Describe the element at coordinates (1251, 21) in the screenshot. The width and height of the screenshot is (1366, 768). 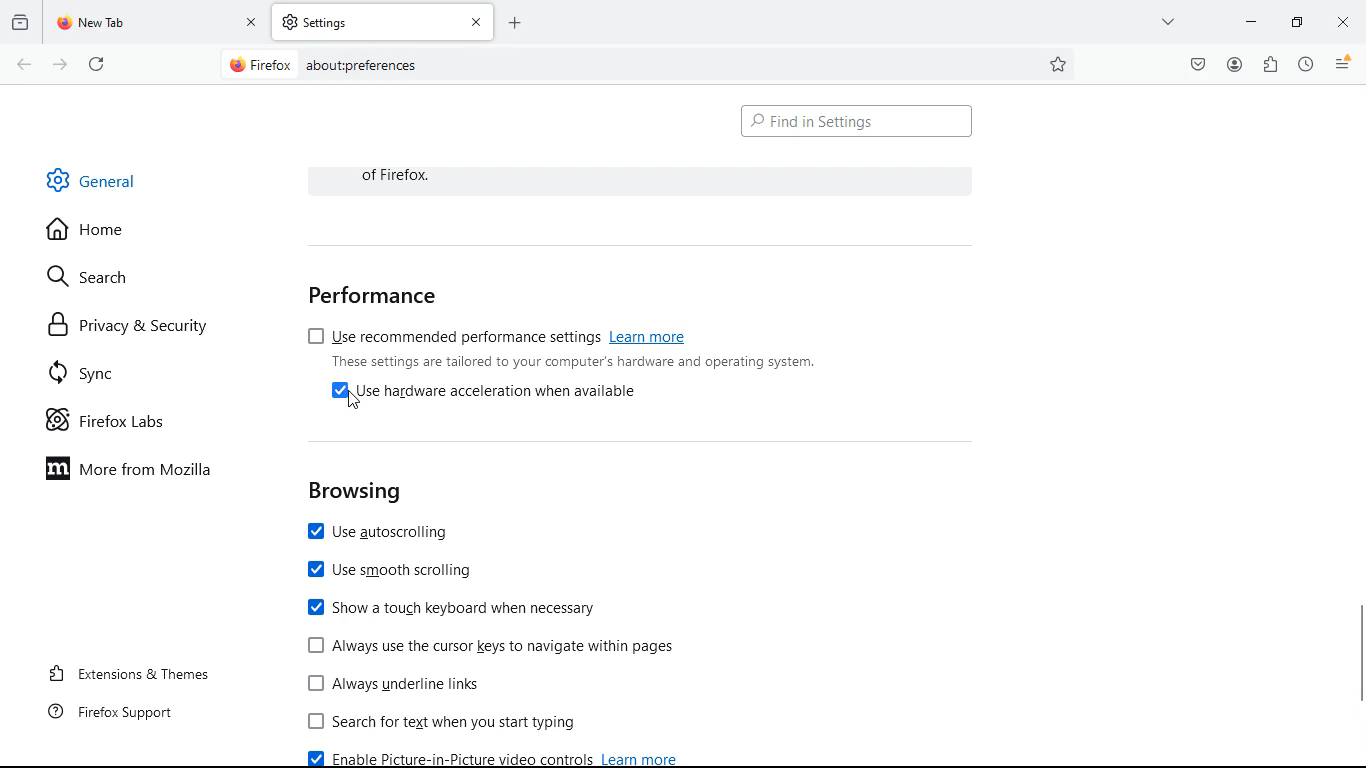
I see `minimize` at that location.